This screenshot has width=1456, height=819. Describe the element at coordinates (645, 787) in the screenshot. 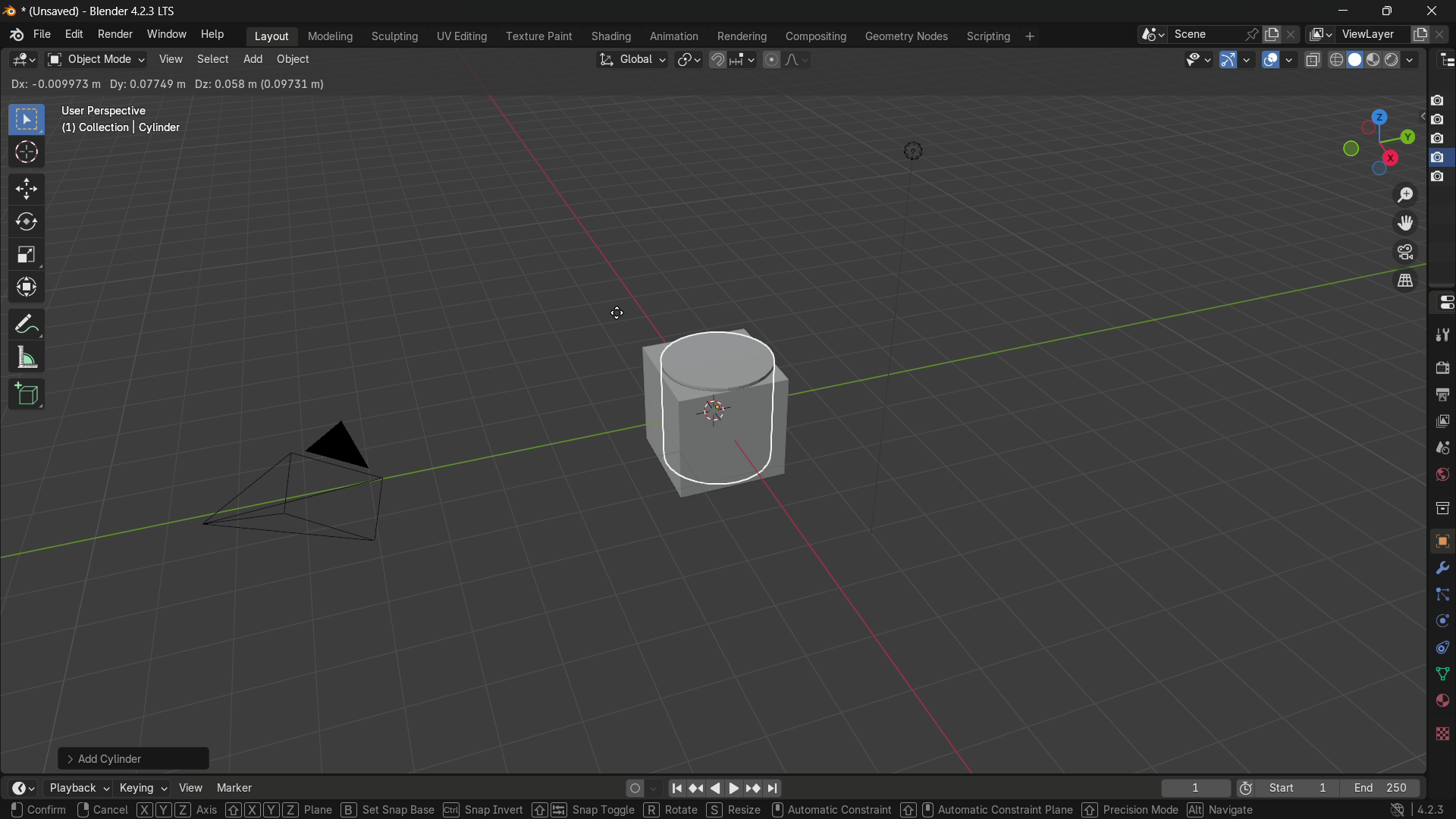

I see `auto keying` at that location.